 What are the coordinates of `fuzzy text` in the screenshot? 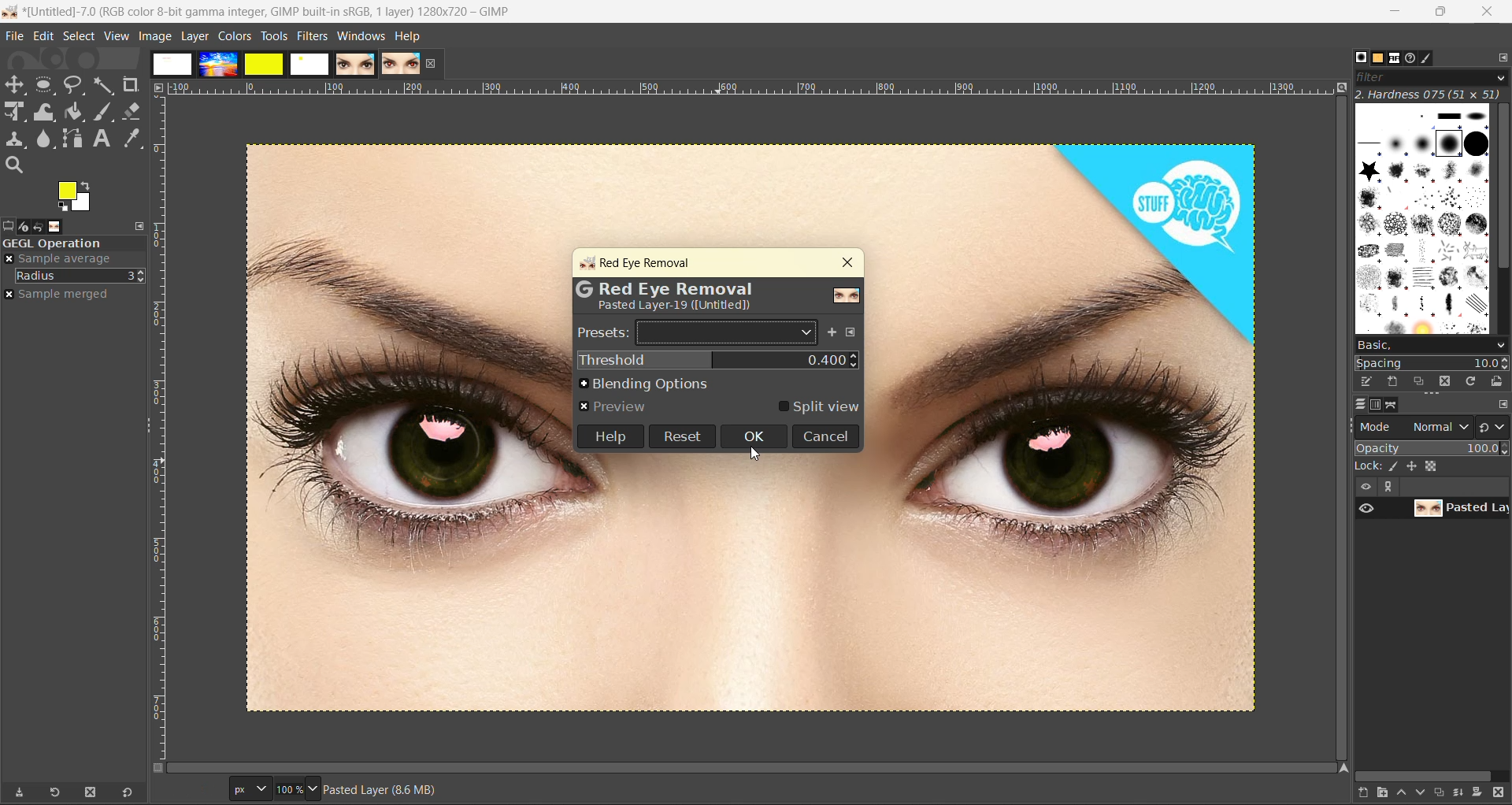 It's located at (105, 86).